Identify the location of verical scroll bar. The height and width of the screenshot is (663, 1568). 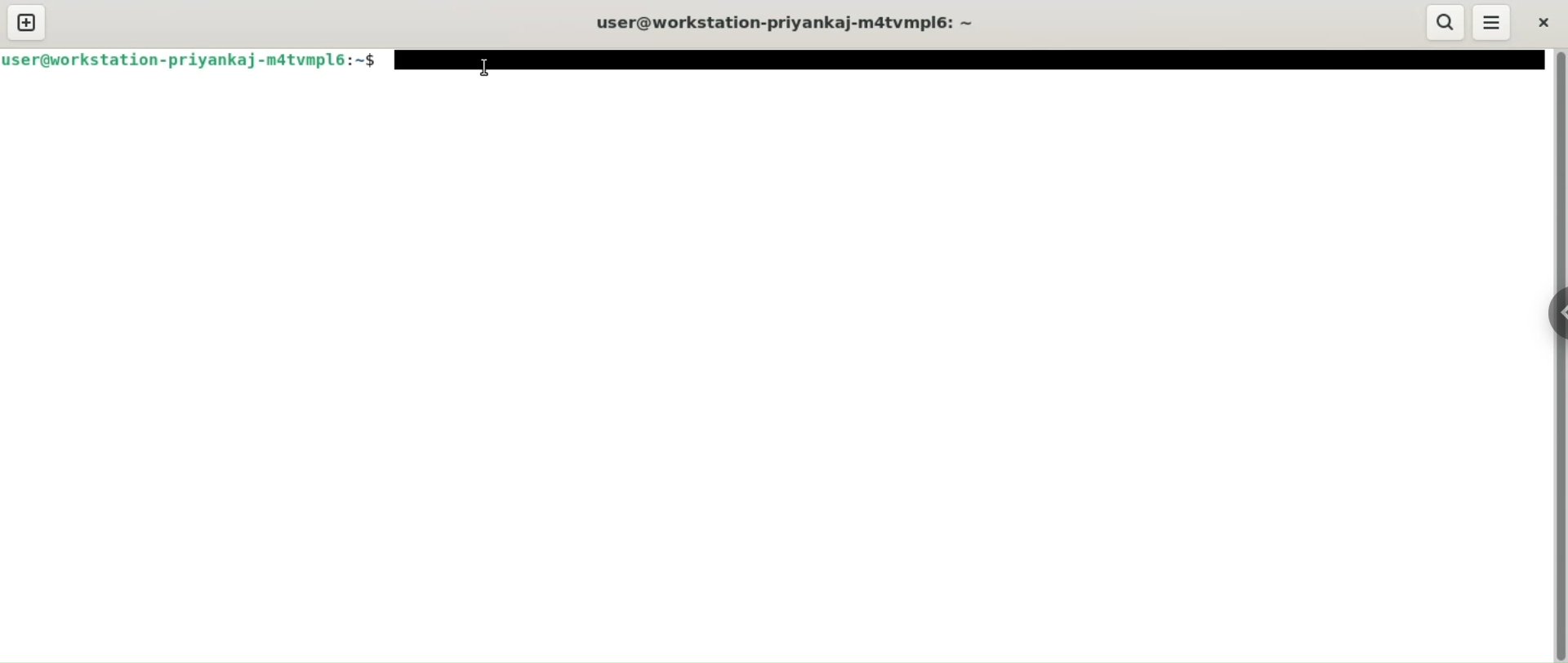
(1558, 356).